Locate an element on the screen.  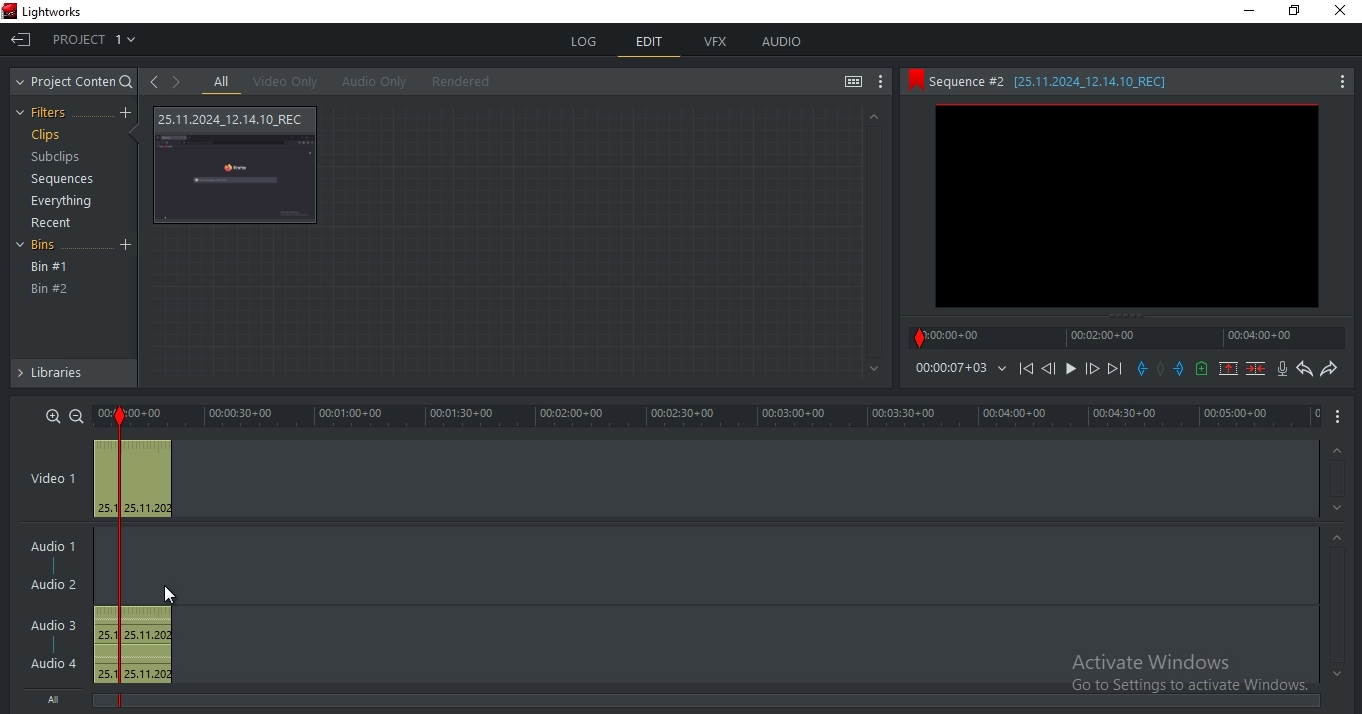
project content is located at coordinates (76, 82).